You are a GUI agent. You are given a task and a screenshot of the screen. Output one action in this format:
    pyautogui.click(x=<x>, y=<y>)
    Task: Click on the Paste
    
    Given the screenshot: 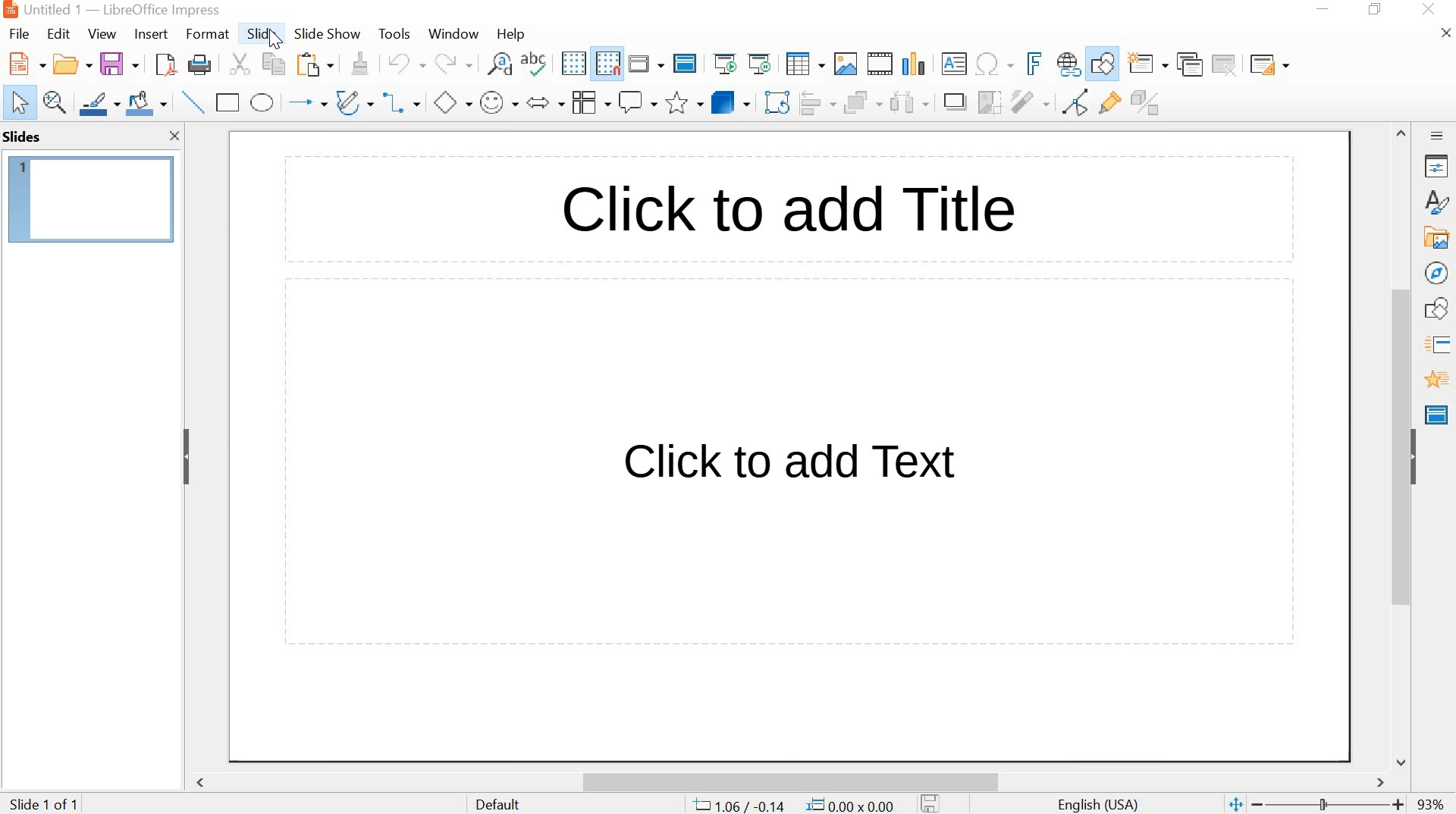 What is the action you would take?
    pyautogui.click(x=315, y=65)
    